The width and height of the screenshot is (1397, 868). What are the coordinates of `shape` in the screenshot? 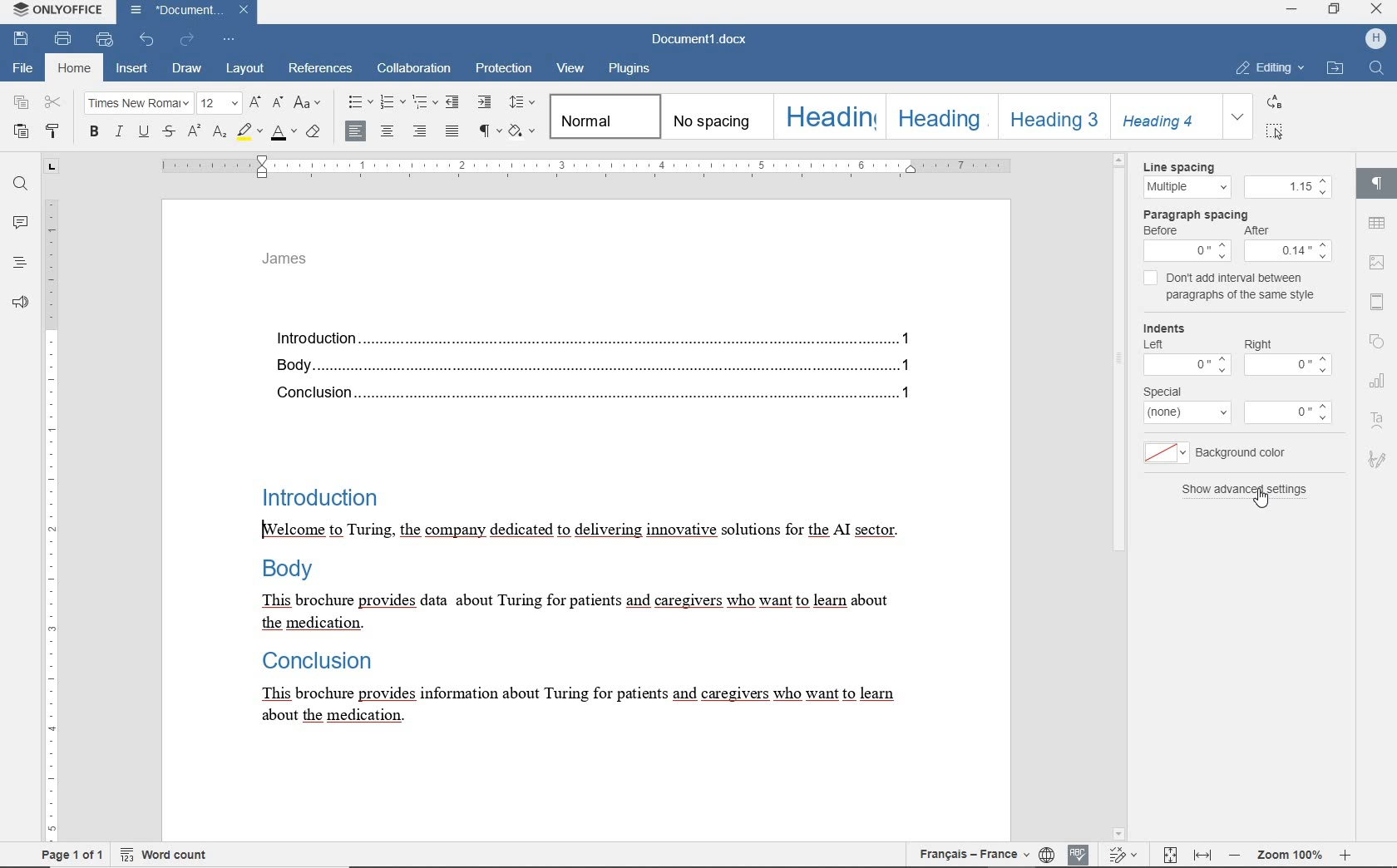 It's located at (1380, 341).